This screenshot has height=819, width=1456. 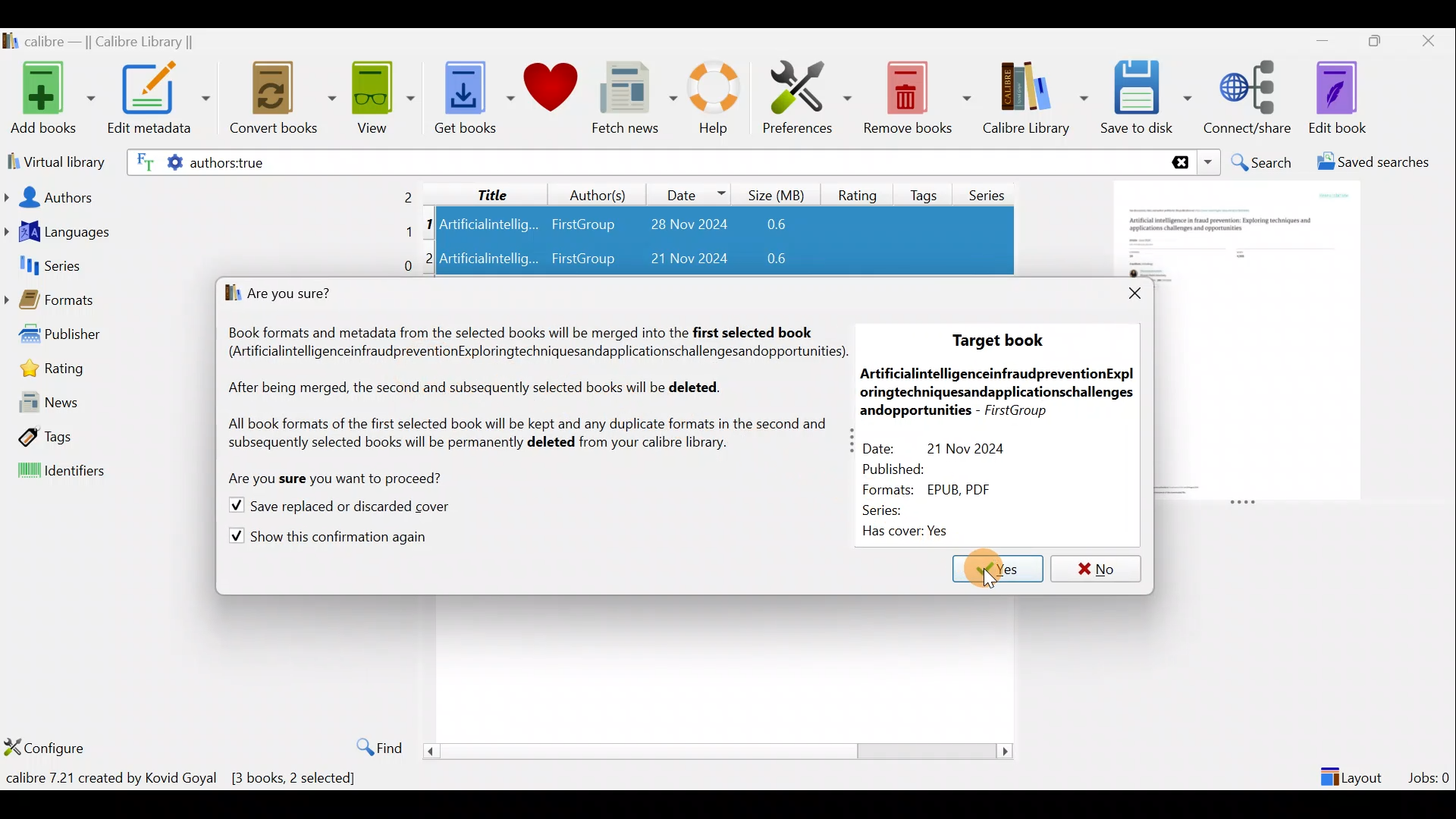 I want to click on Layout, so click(x=1354, y=770).